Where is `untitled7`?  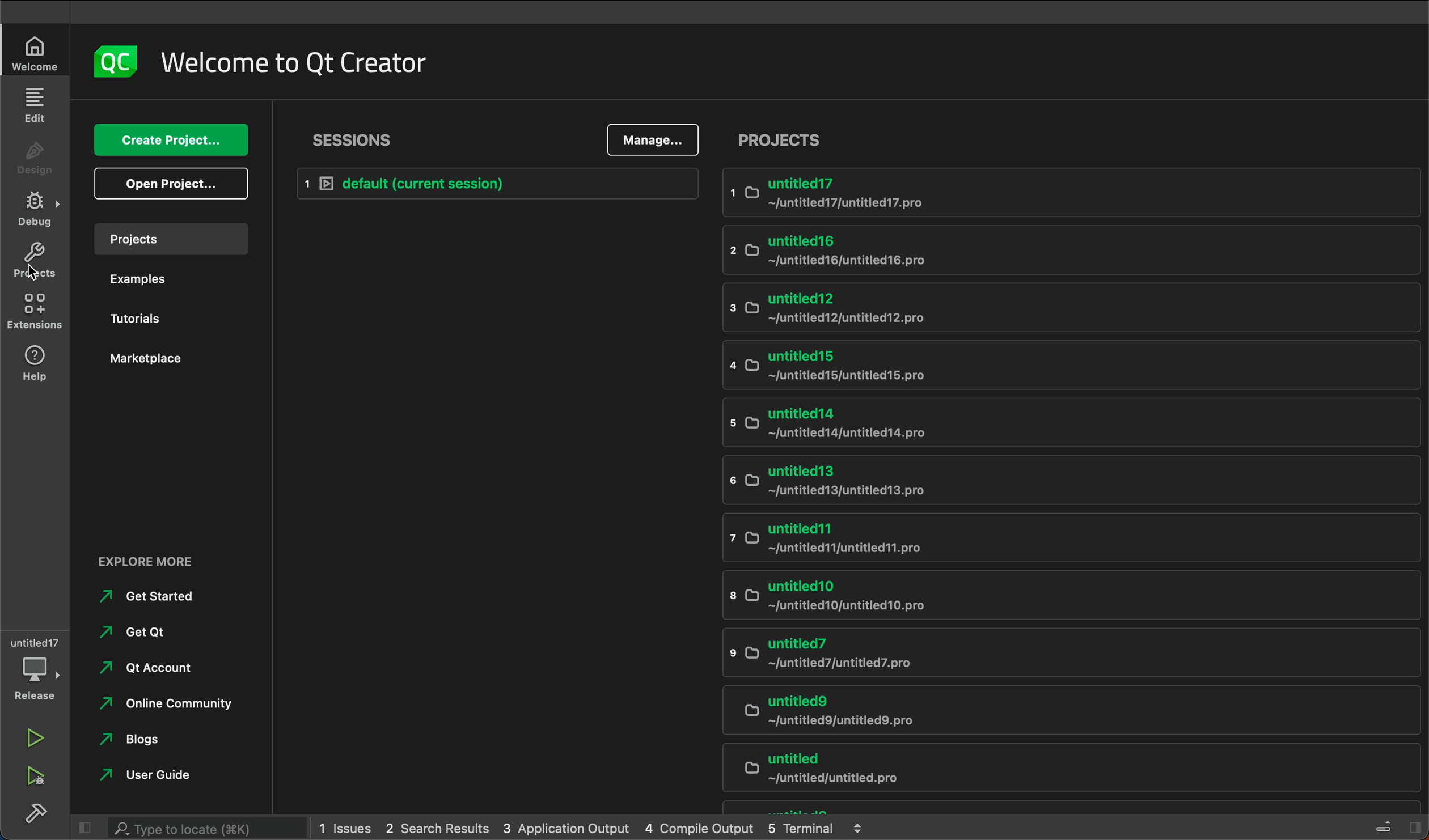 untitled7 is located at coordinates (1049, 652).